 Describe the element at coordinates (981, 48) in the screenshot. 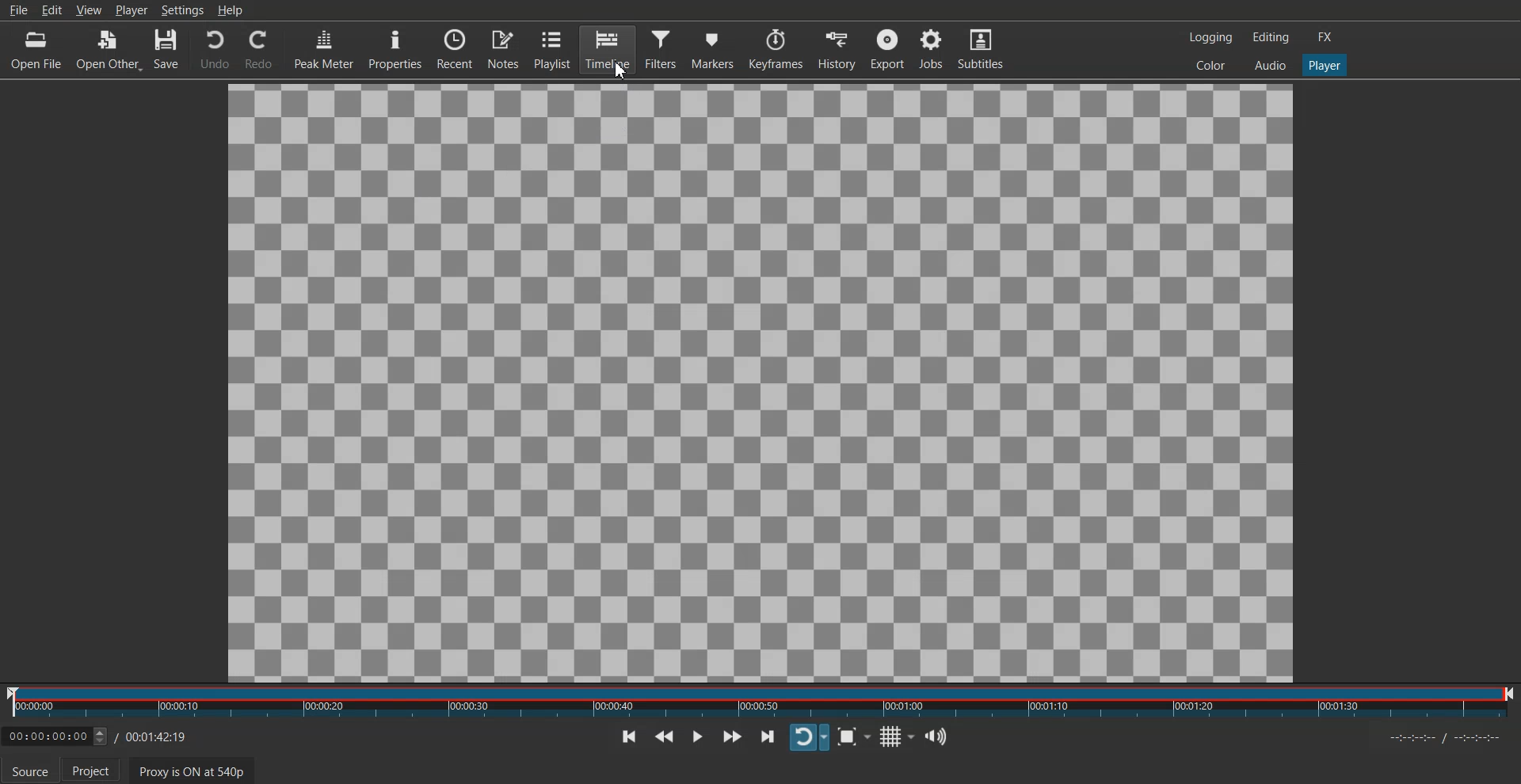

I see `Subtitles` at that location.